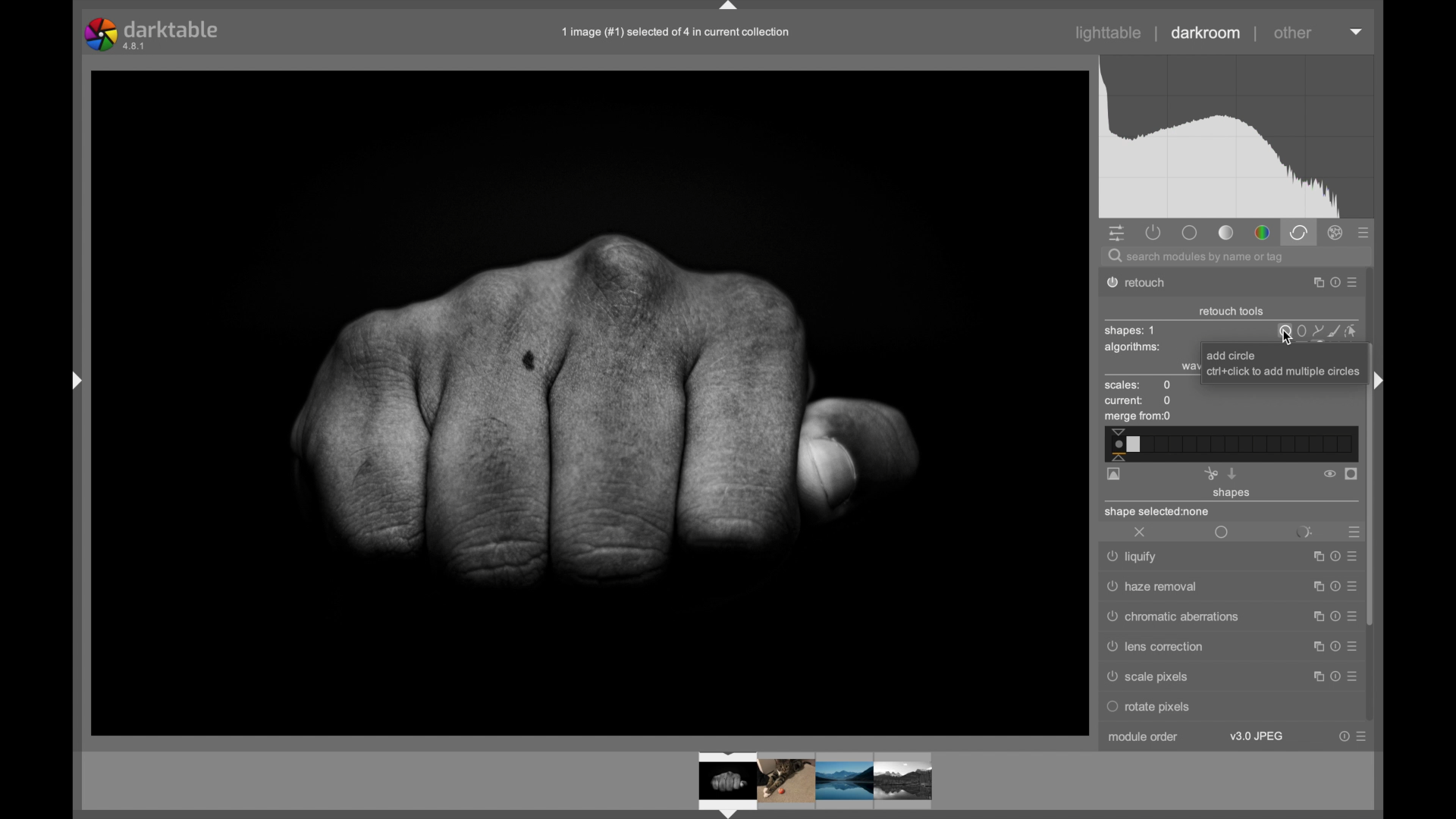  I want to click on help, so click(1332, 283).